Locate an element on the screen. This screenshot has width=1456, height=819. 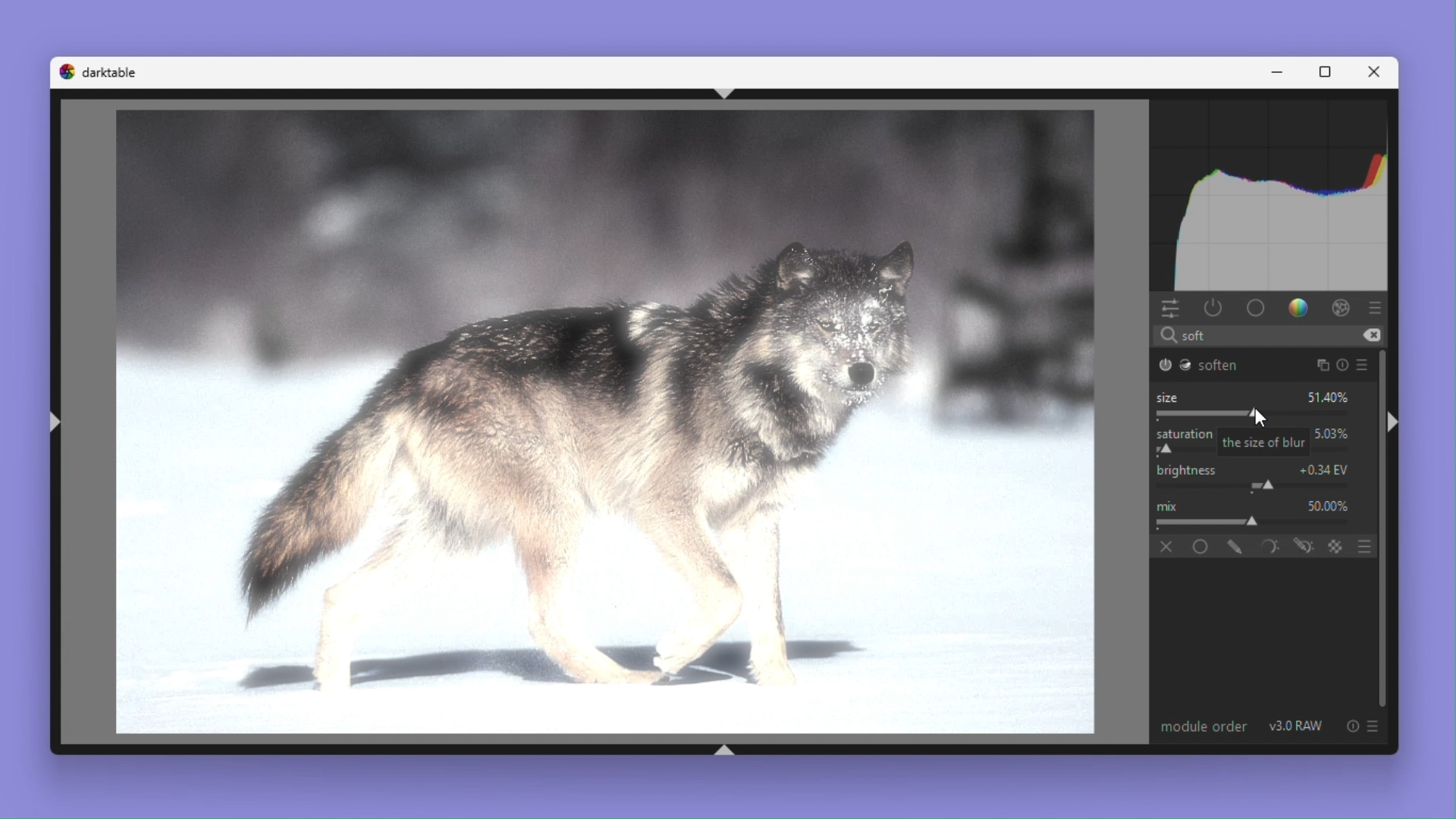
size is located at coordinates (1167, 397).